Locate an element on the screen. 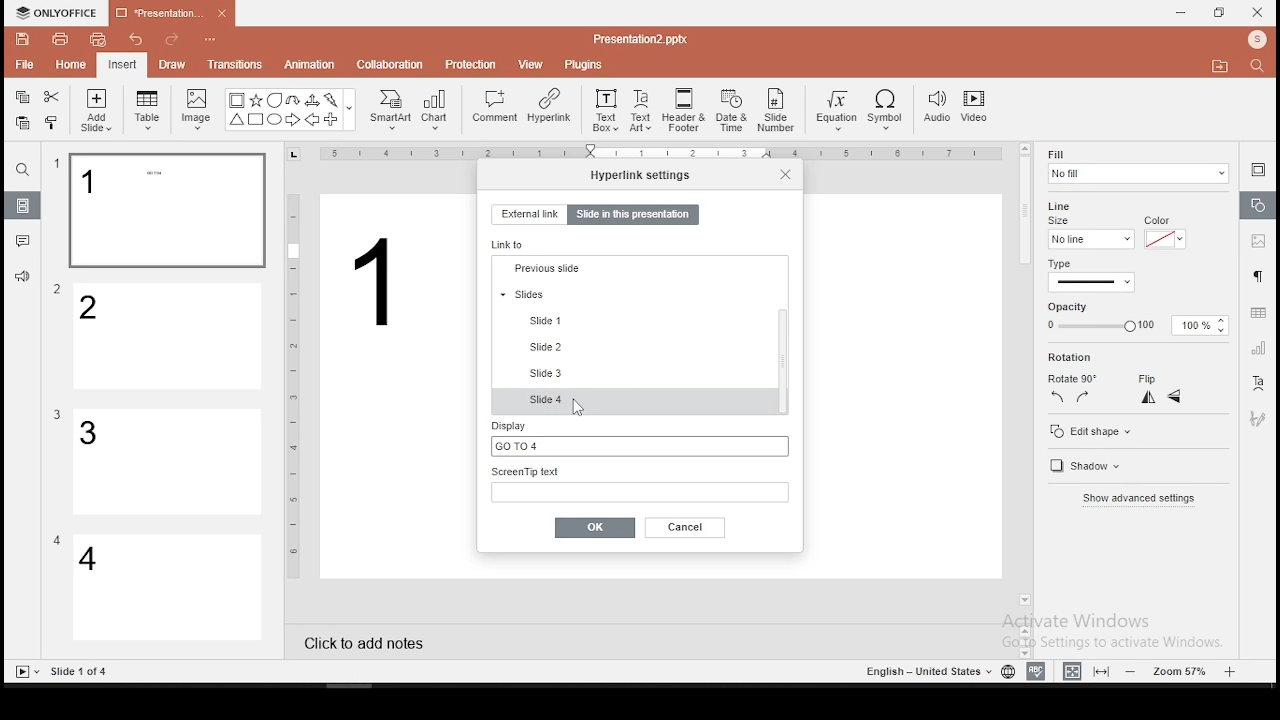  last slide is located at coordinates (634, 294).